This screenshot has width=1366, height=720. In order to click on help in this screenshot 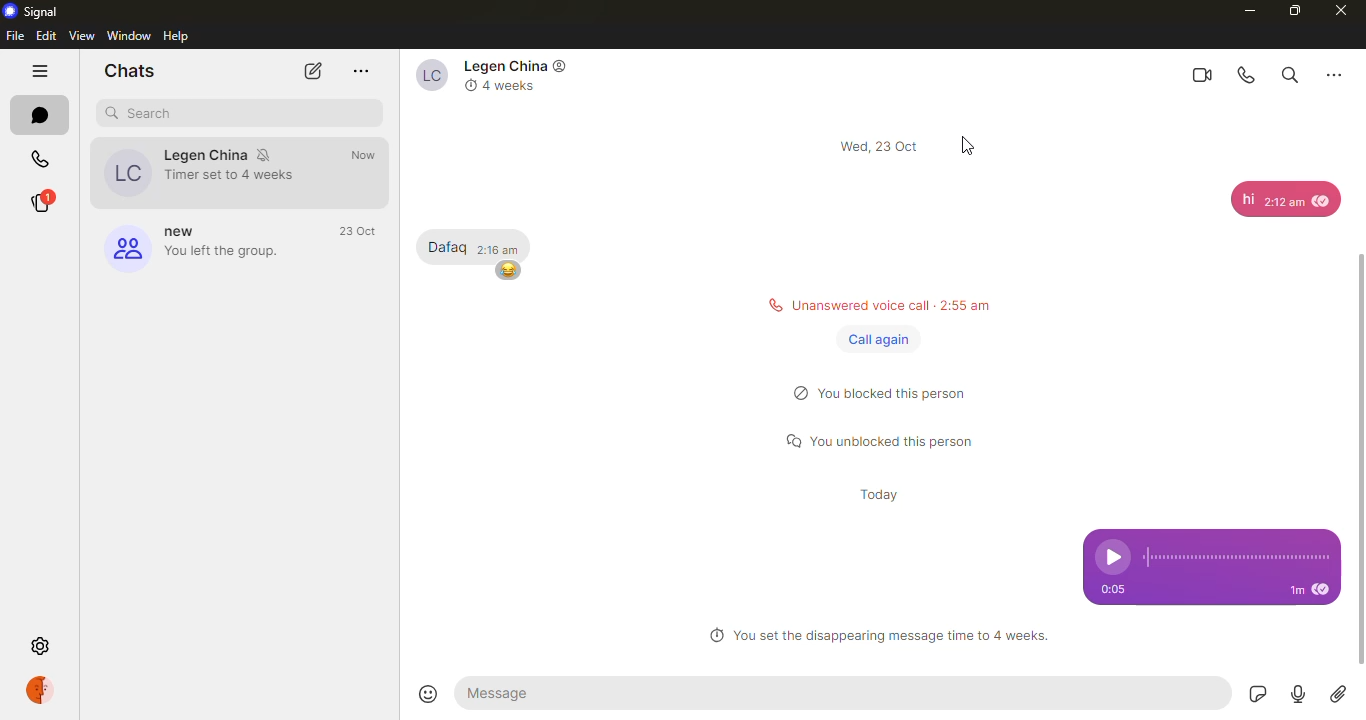, I will do `click(178, 36)`.